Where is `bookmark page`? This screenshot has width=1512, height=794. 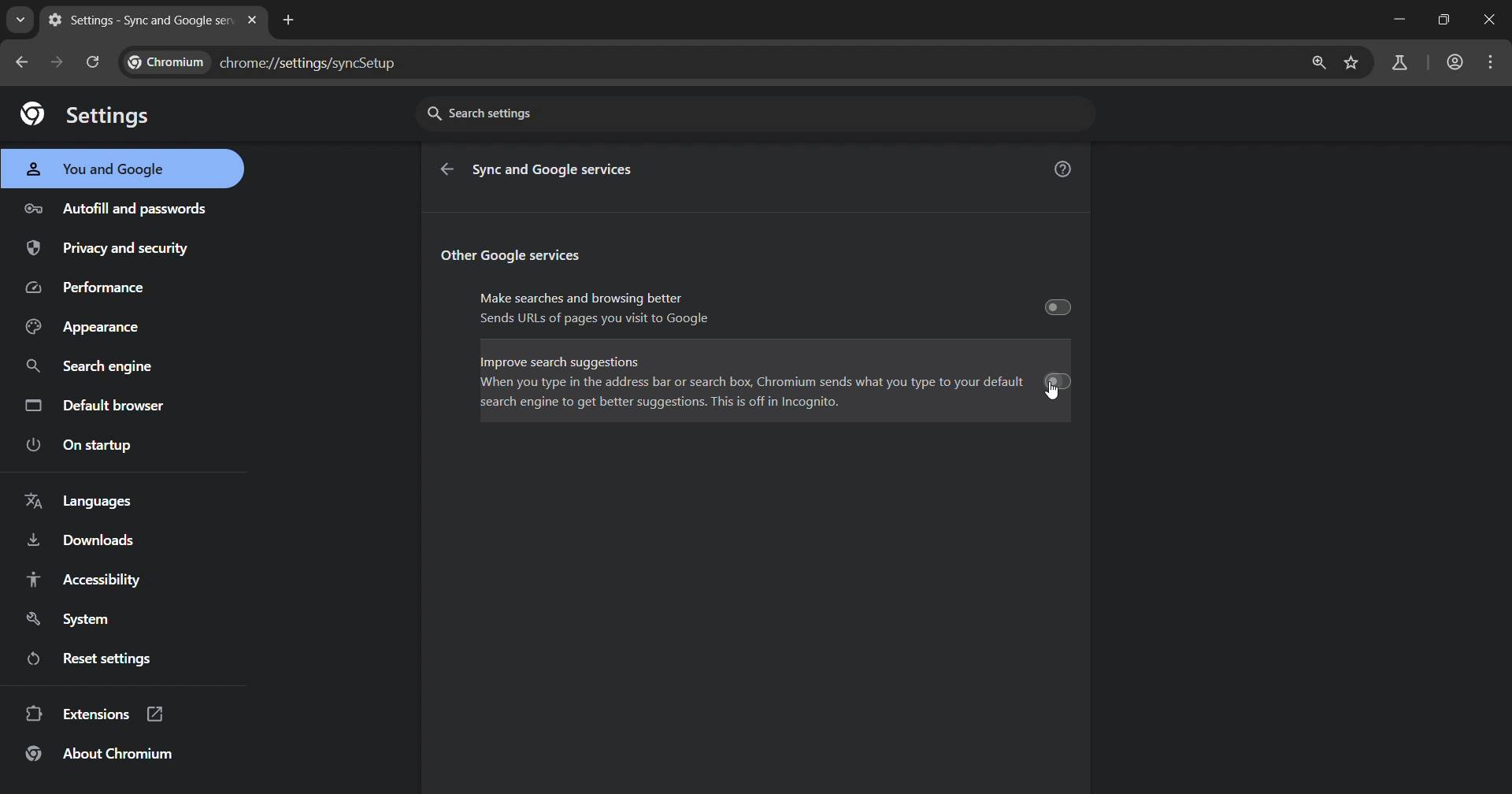 bookmark page is located at coordinates (1352, 62).